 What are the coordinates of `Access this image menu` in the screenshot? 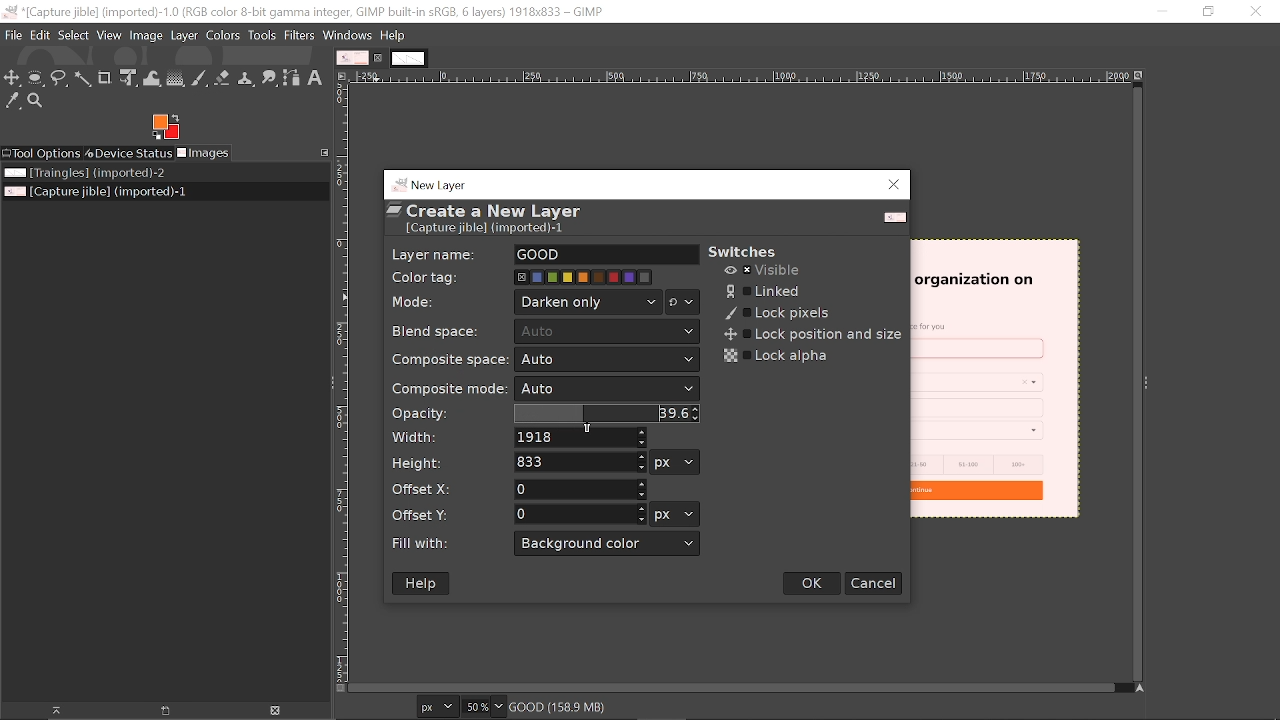 It's located at (342, 76).